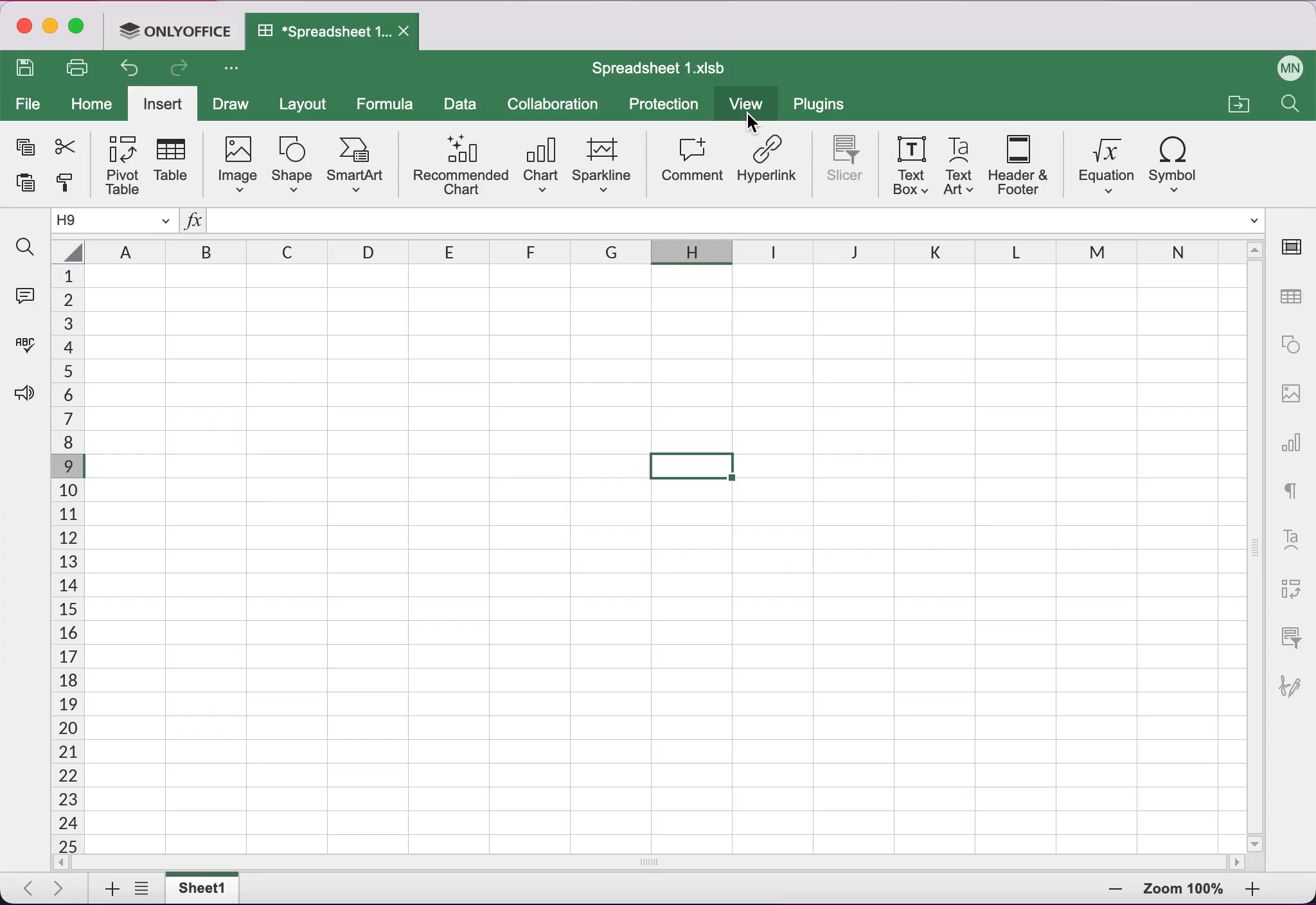  I want to click on table, so click(176, 162).